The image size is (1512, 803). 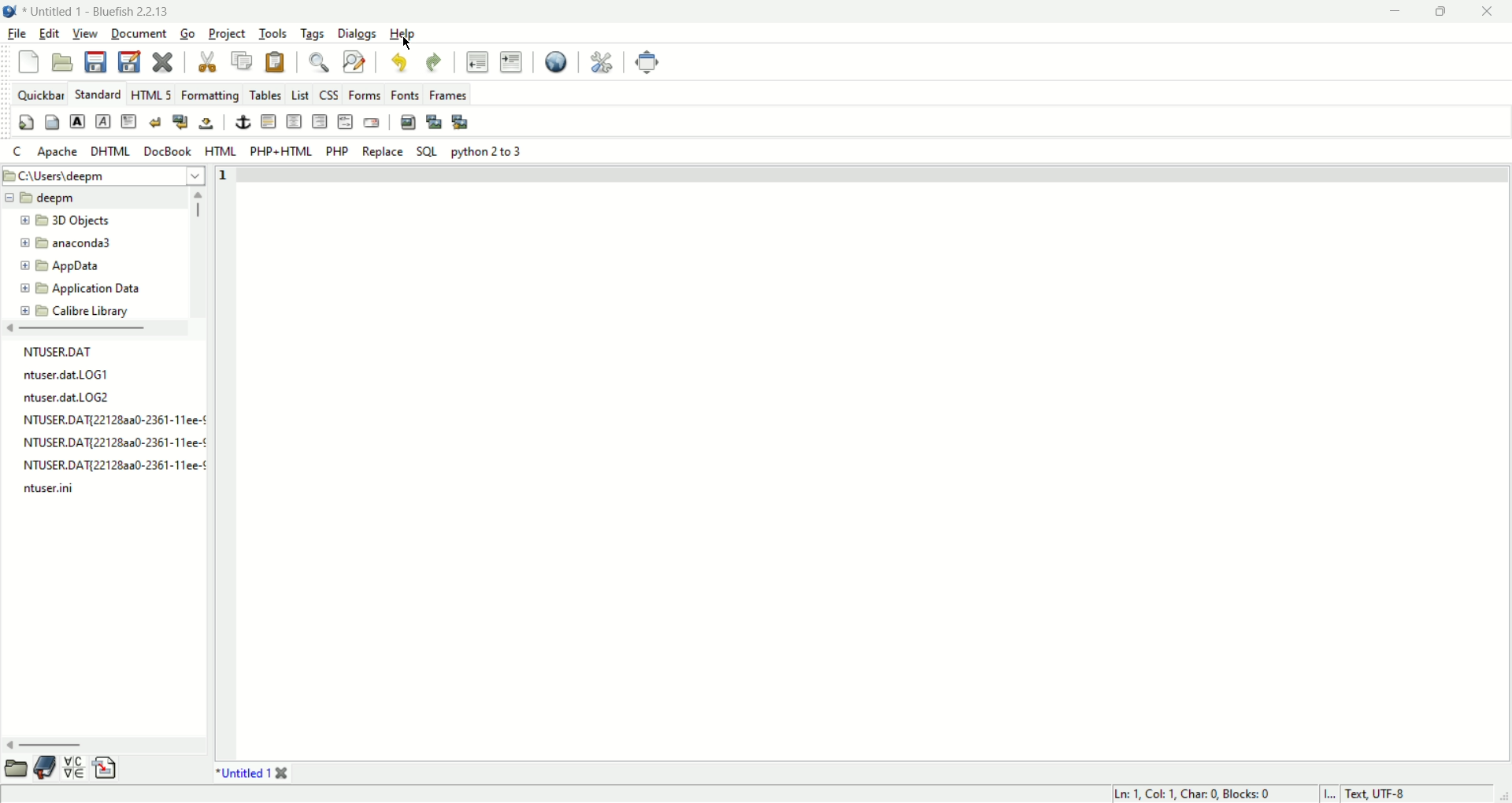 What do you see at coordinates (150, 94) in the screenshot?
I see `HTML5` at bounding box center [150, 94].